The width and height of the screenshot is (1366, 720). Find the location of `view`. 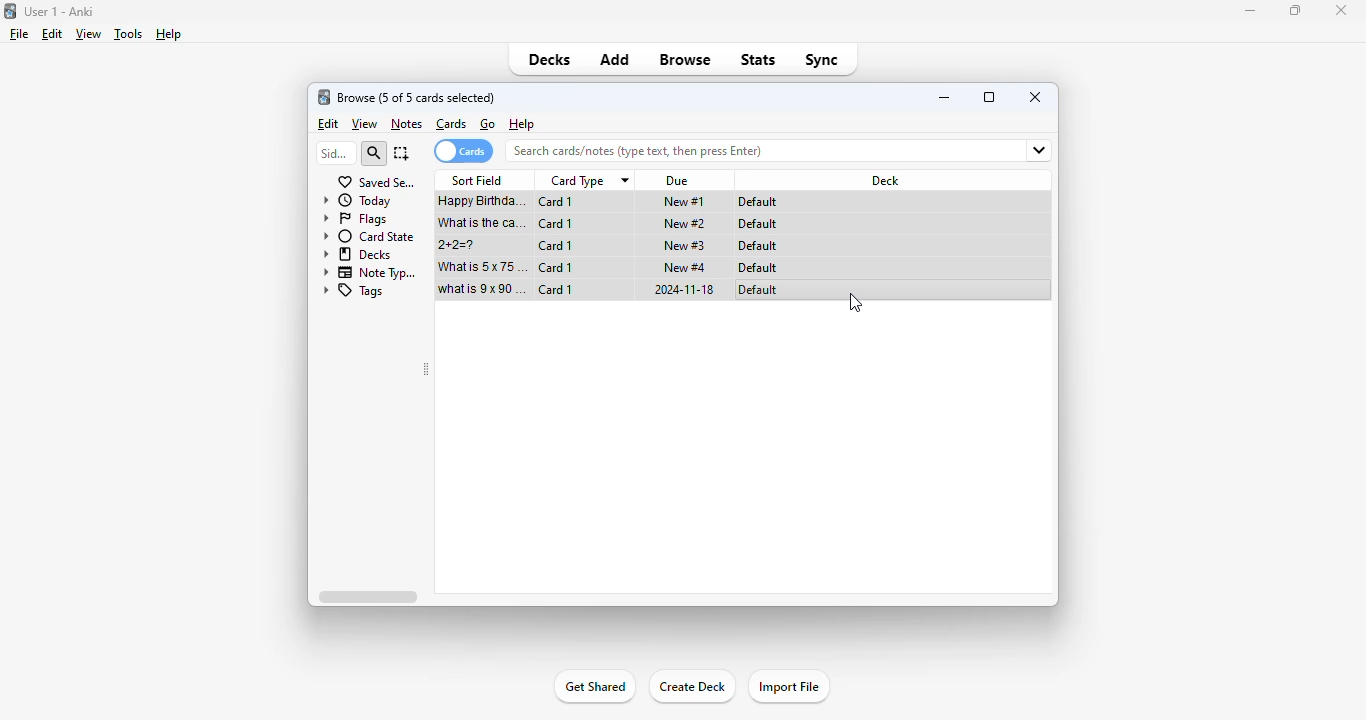

view is located at coordinates (365, 124).